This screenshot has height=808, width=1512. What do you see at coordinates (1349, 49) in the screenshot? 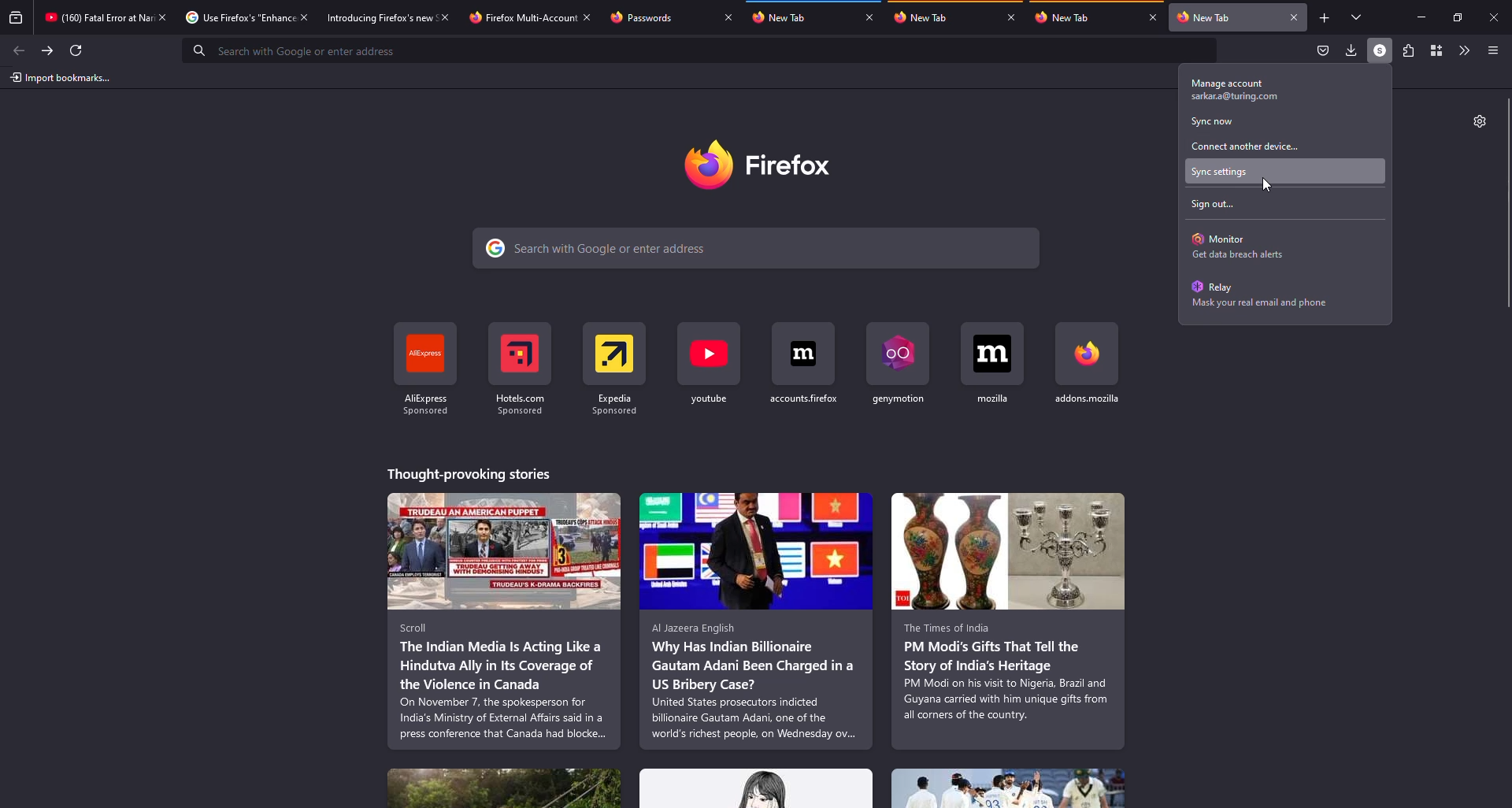
I see `downloads` at bounding box center [1349, 49].